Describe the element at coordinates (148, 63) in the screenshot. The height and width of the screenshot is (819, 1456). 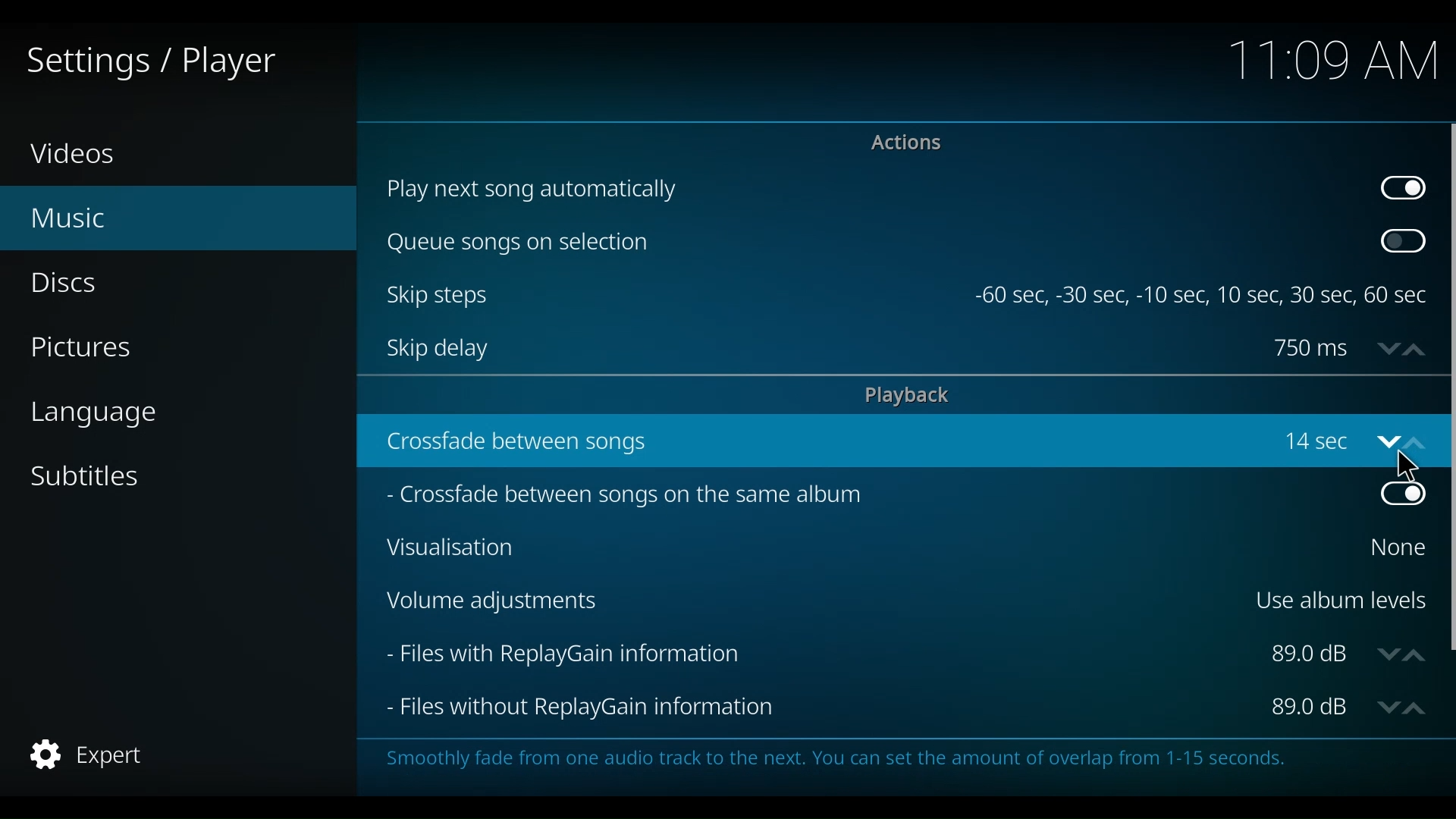
I see `Settings/Player` at that location.